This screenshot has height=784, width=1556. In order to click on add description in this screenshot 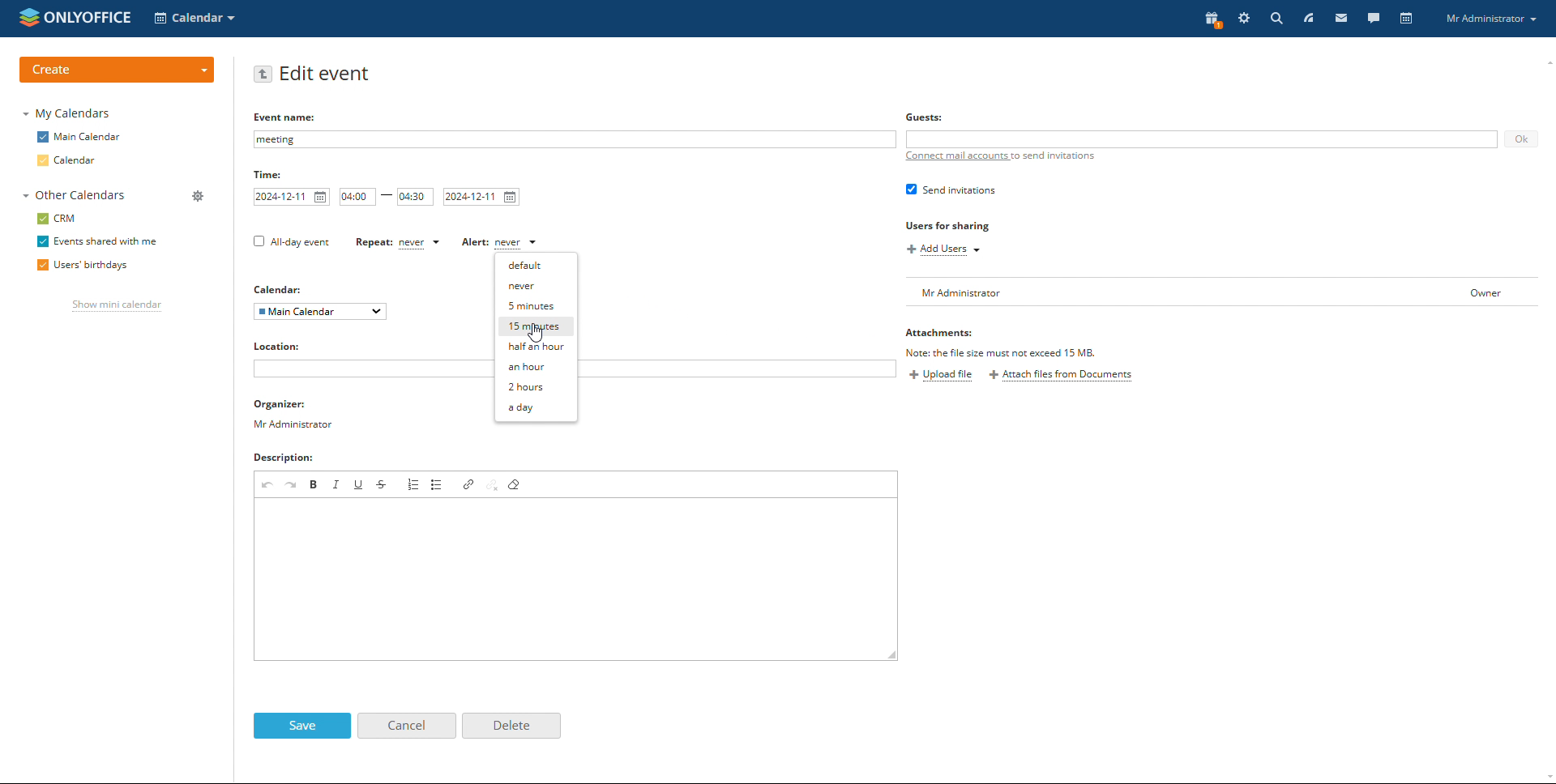, I will do `click(575, 579)`.